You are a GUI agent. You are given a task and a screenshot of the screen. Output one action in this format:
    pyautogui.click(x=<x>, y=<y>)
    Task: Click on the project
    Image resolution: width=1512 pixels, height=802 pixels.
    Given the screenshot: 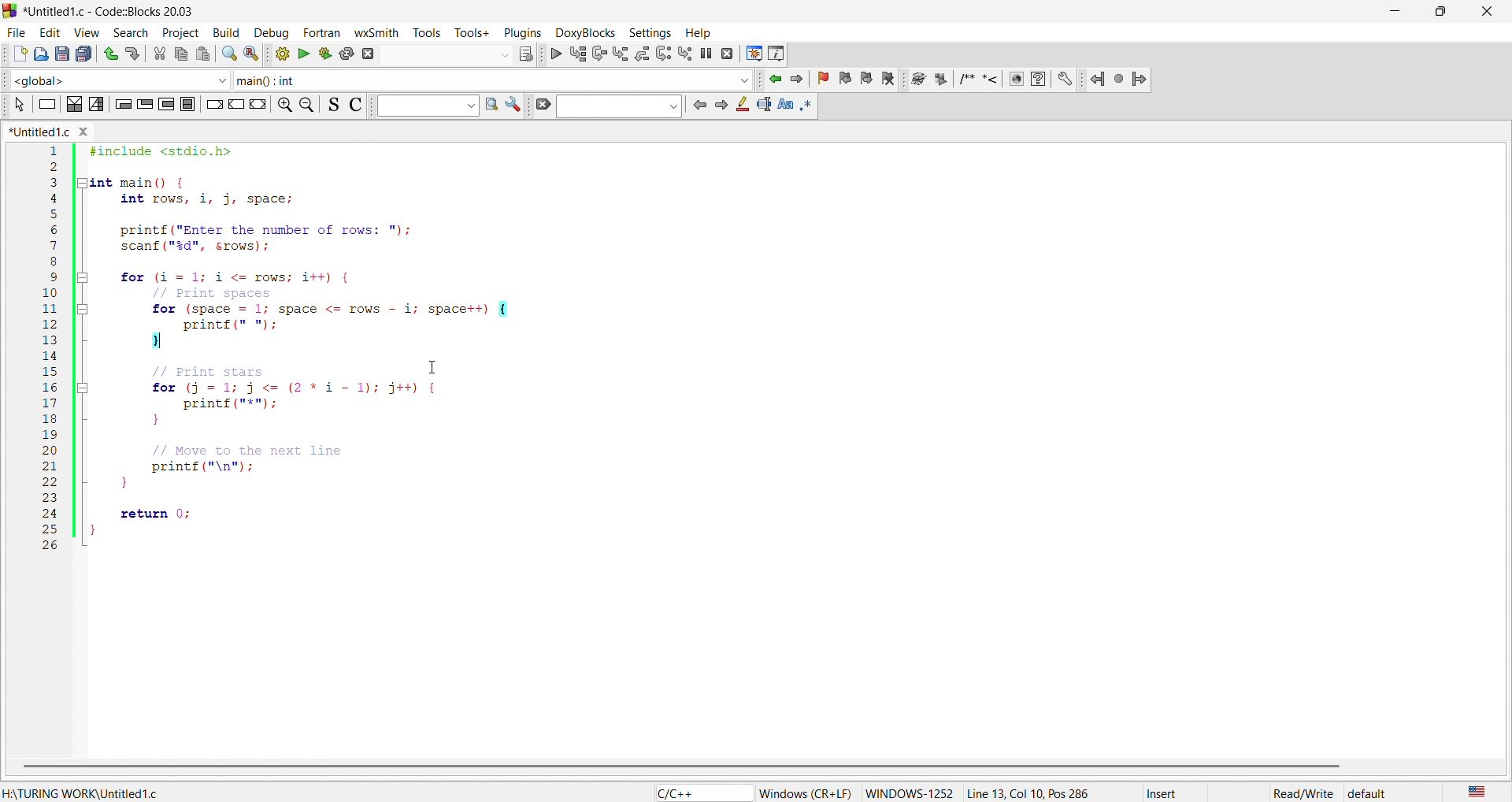 What is the action you would take?
    pyautogui.click(x=175, y=31)
    